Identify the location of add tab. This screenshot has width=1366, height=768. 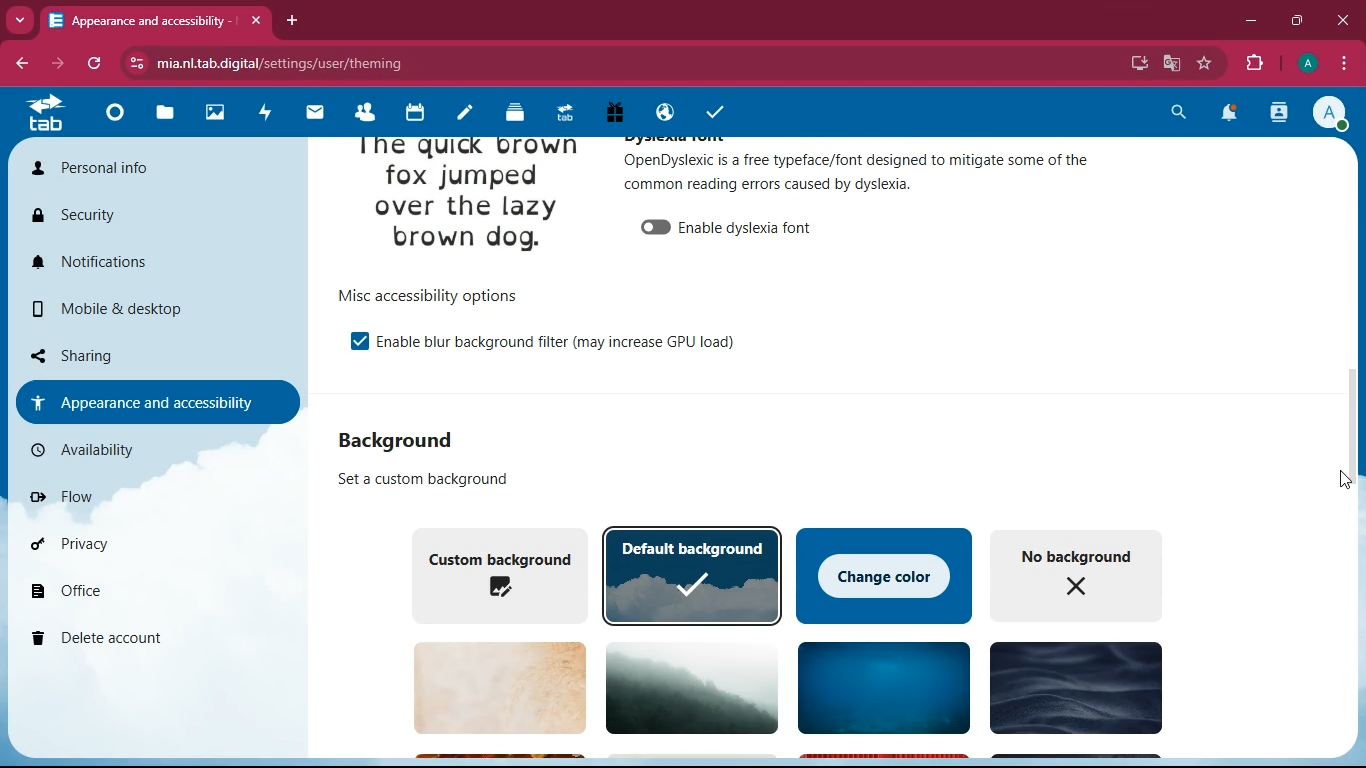
(295, 20).